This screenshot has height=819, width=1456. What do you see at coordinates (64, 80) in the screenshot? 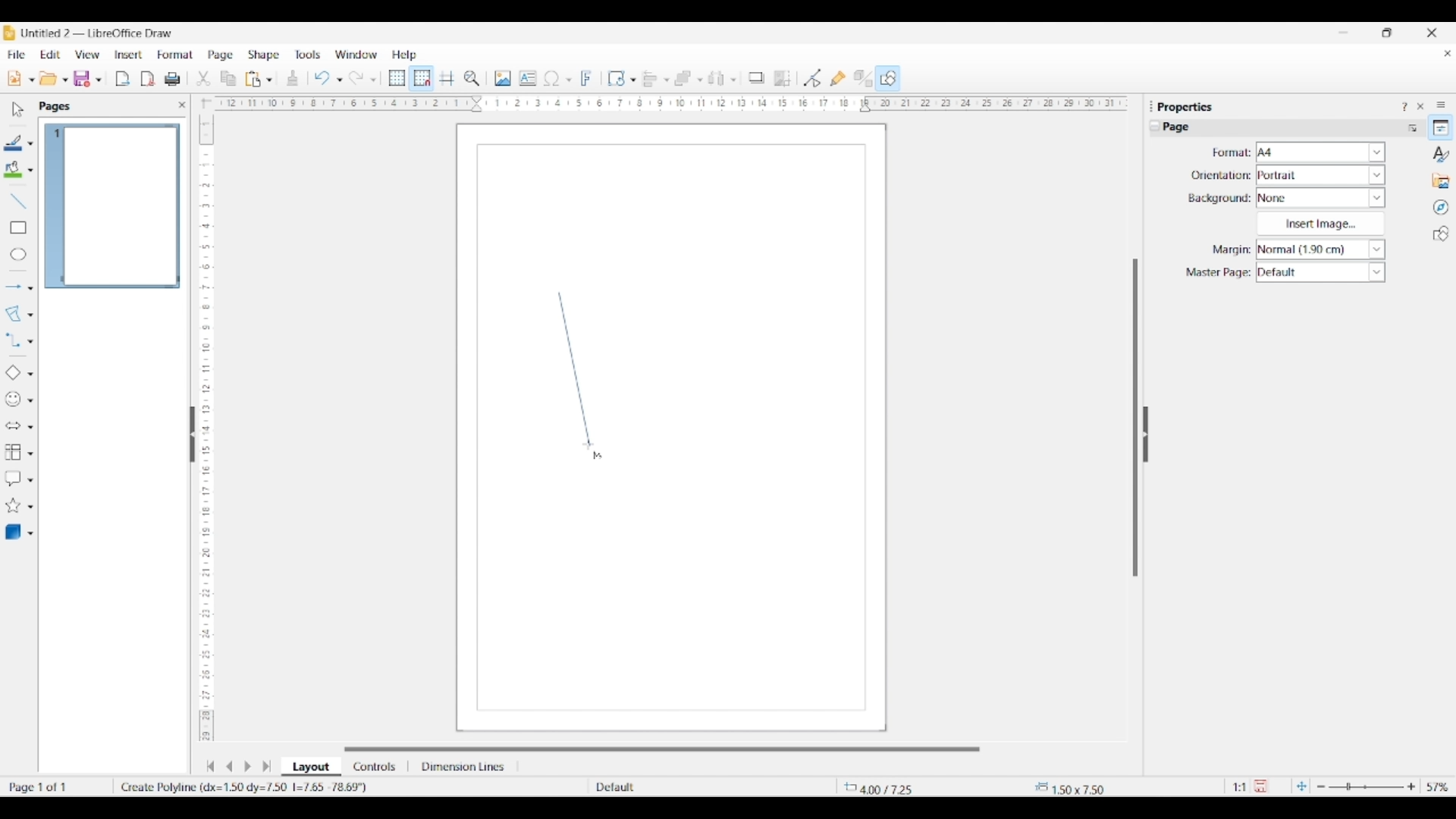
I see `Open document options` at bounding box center [64, 80].